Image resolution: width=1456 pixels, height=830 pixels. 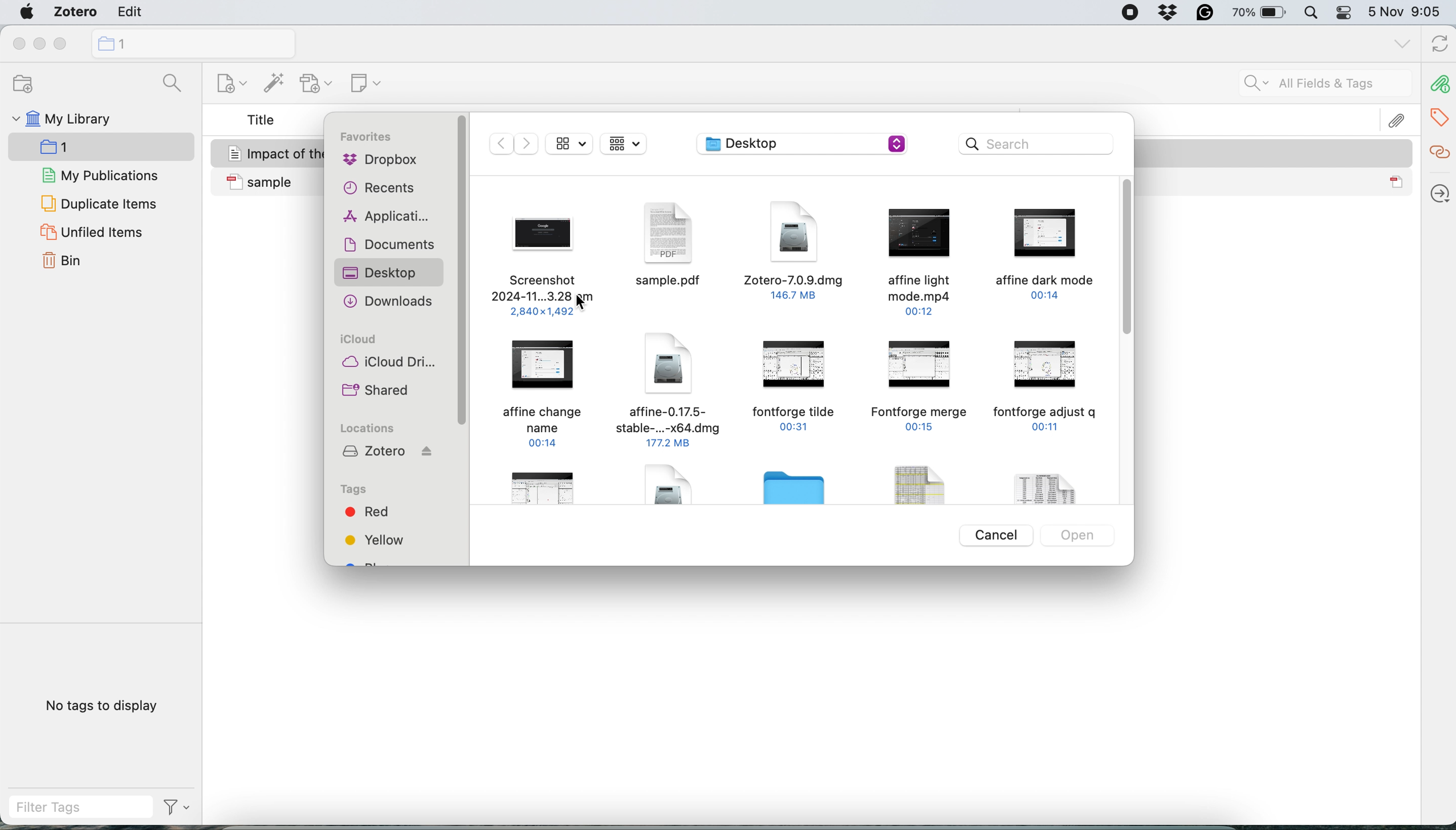 What do you see at coordinates (377, 539) in the screenshot?
I see `yellow` at bounding box center [377, 539].